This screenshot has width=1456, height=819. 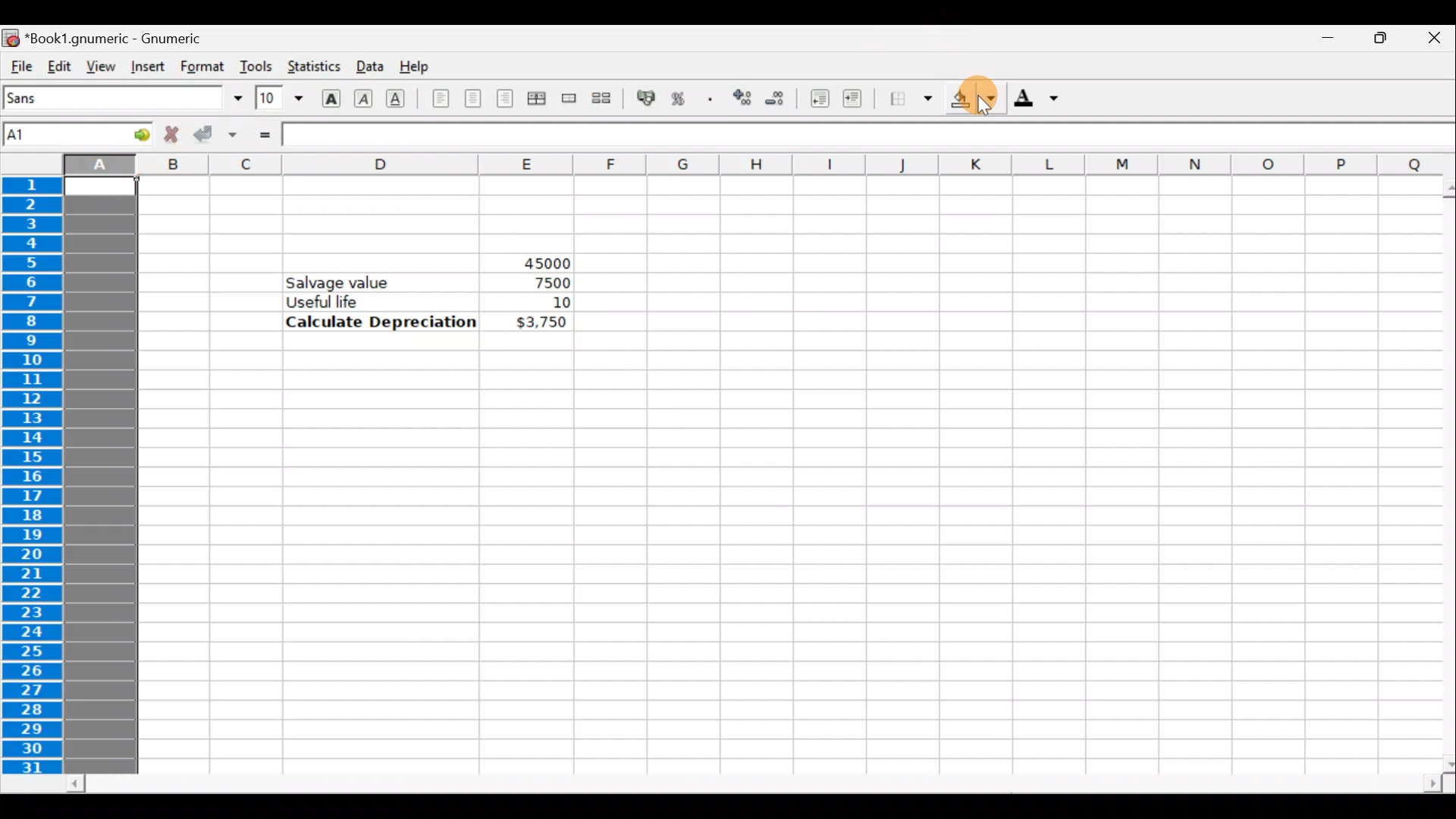 I want to click on File, so click(x=20, y=67).